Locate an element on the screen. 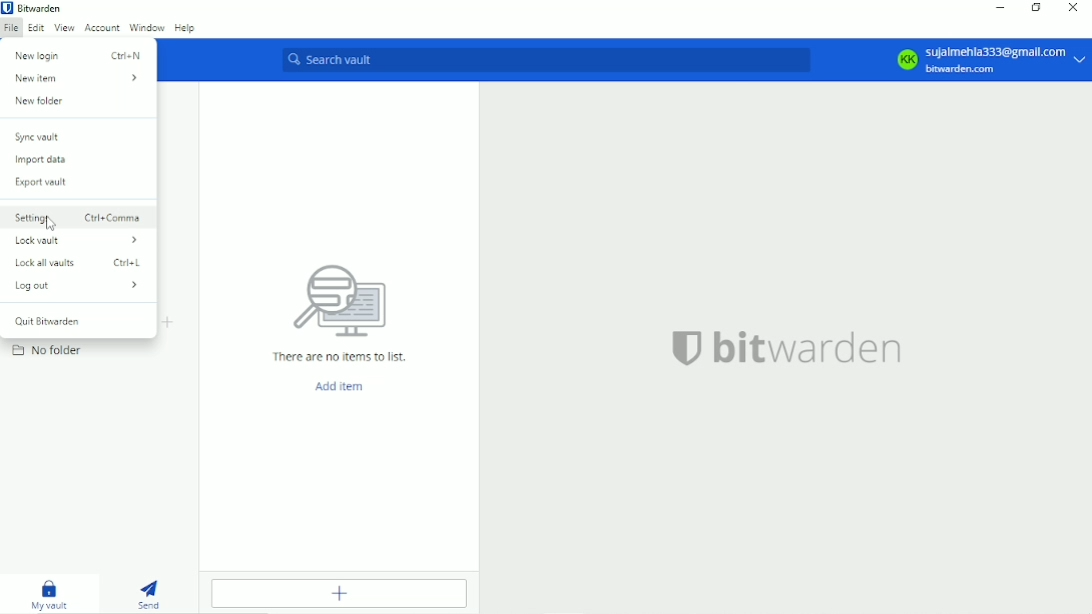 Image resolution: width=1092 pixels, height=614 pixels. There are no items to list is located at coordinates (342, 358).